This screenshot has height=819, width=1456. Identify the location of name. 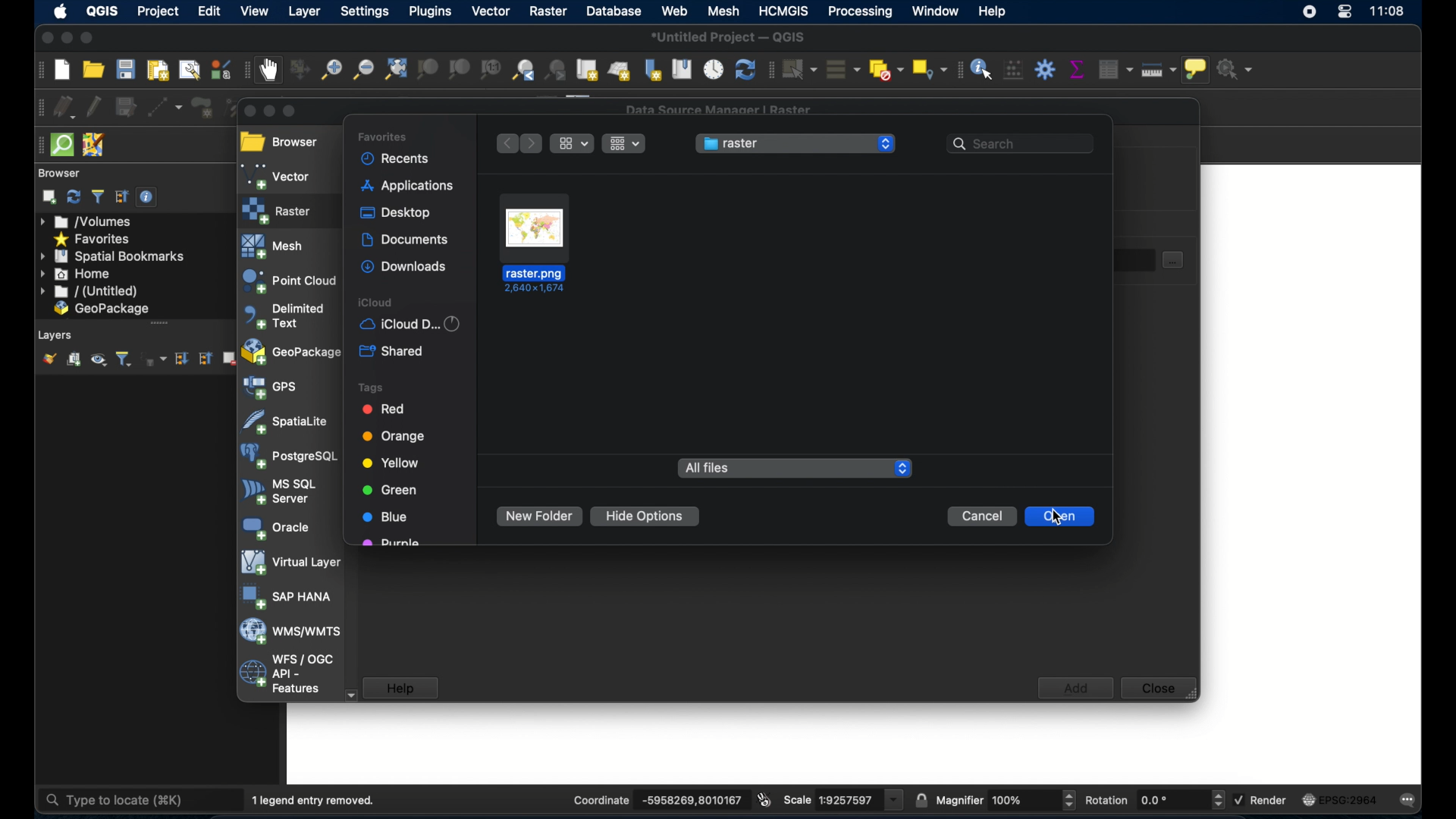
(535, 273).